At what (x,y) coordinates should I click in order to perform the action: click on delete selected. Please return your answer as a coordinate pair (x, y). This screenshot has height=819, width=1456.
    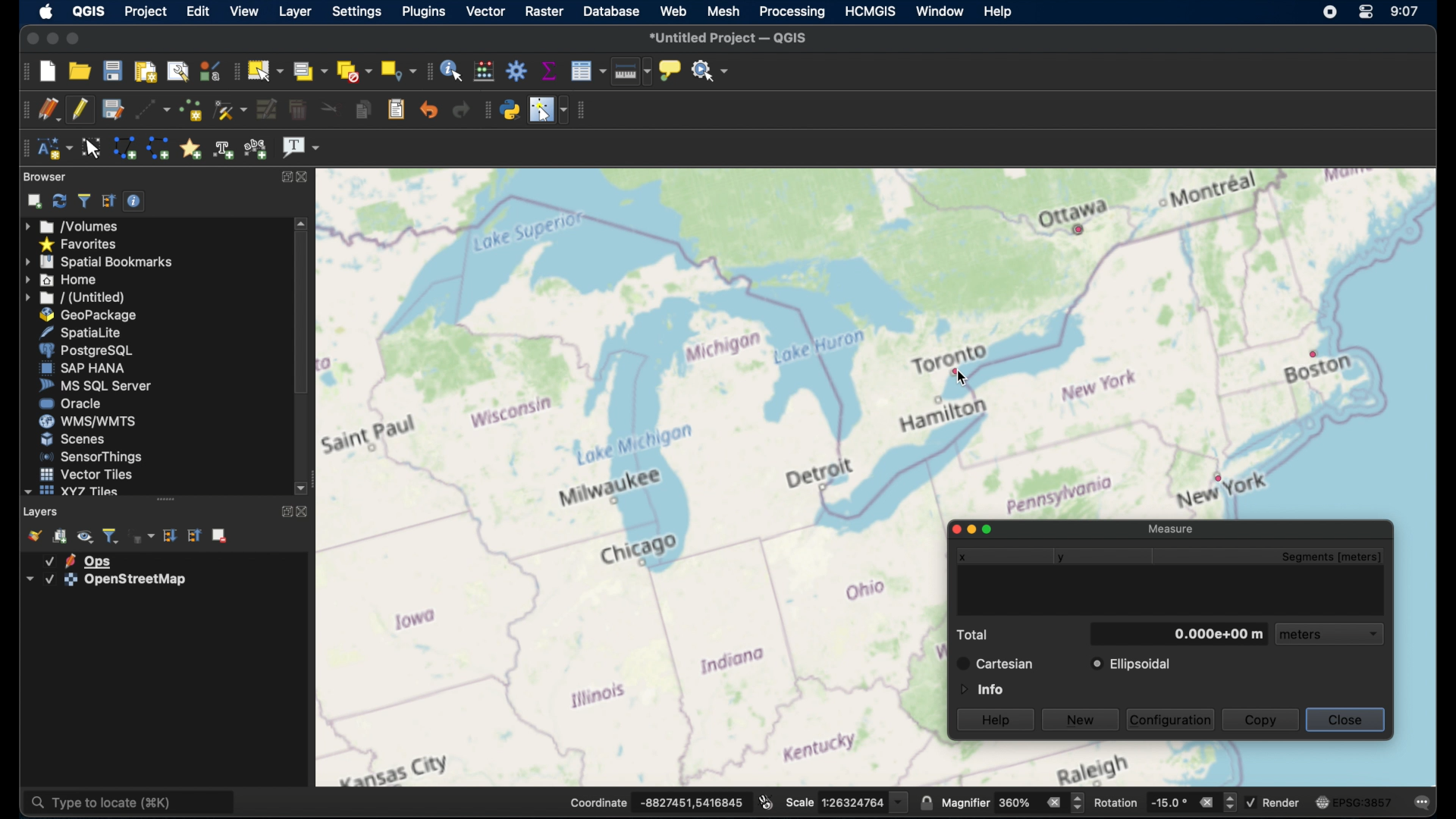
    Looking at the image, I should click on (297, 110).